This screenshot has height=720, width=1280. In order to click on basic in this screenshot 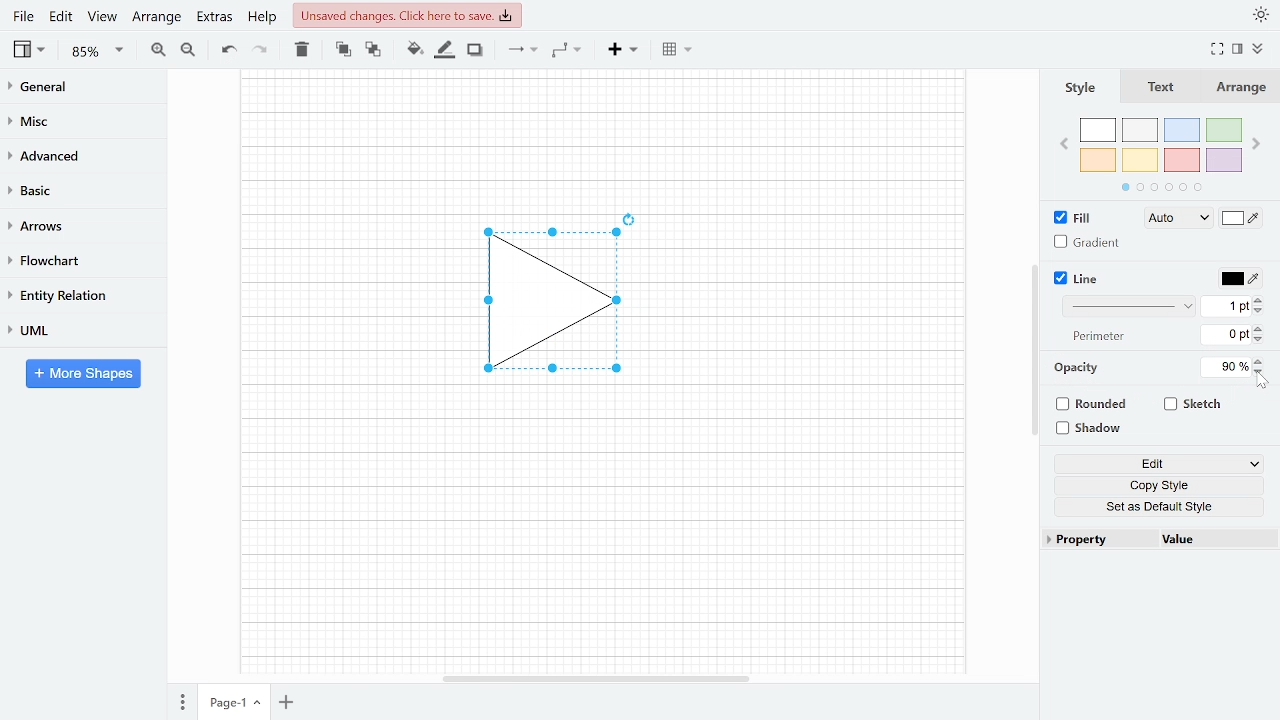, I will do `click(76, 189)`.